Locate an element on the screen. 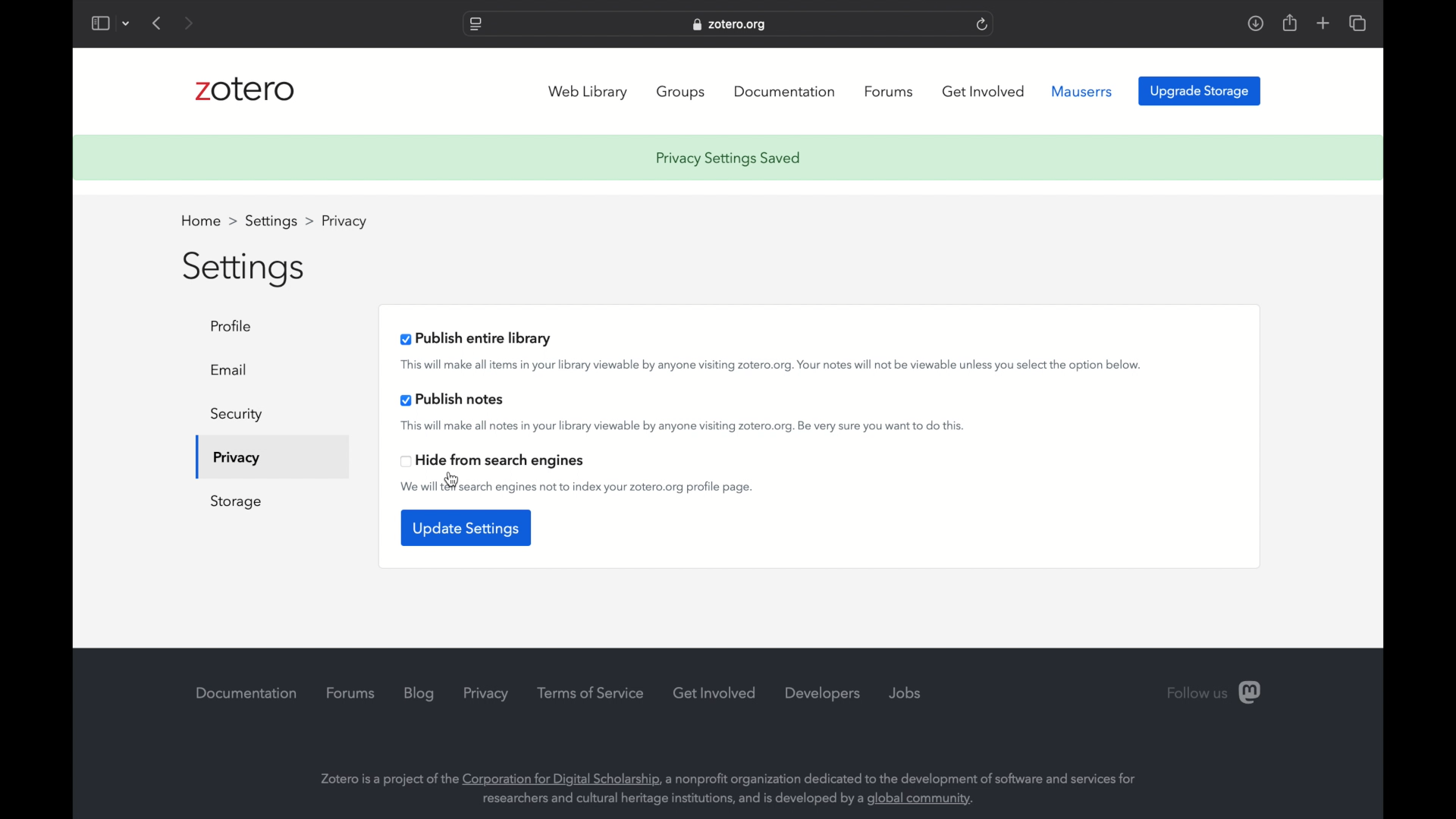  profile is located at coordinates (351, 218).